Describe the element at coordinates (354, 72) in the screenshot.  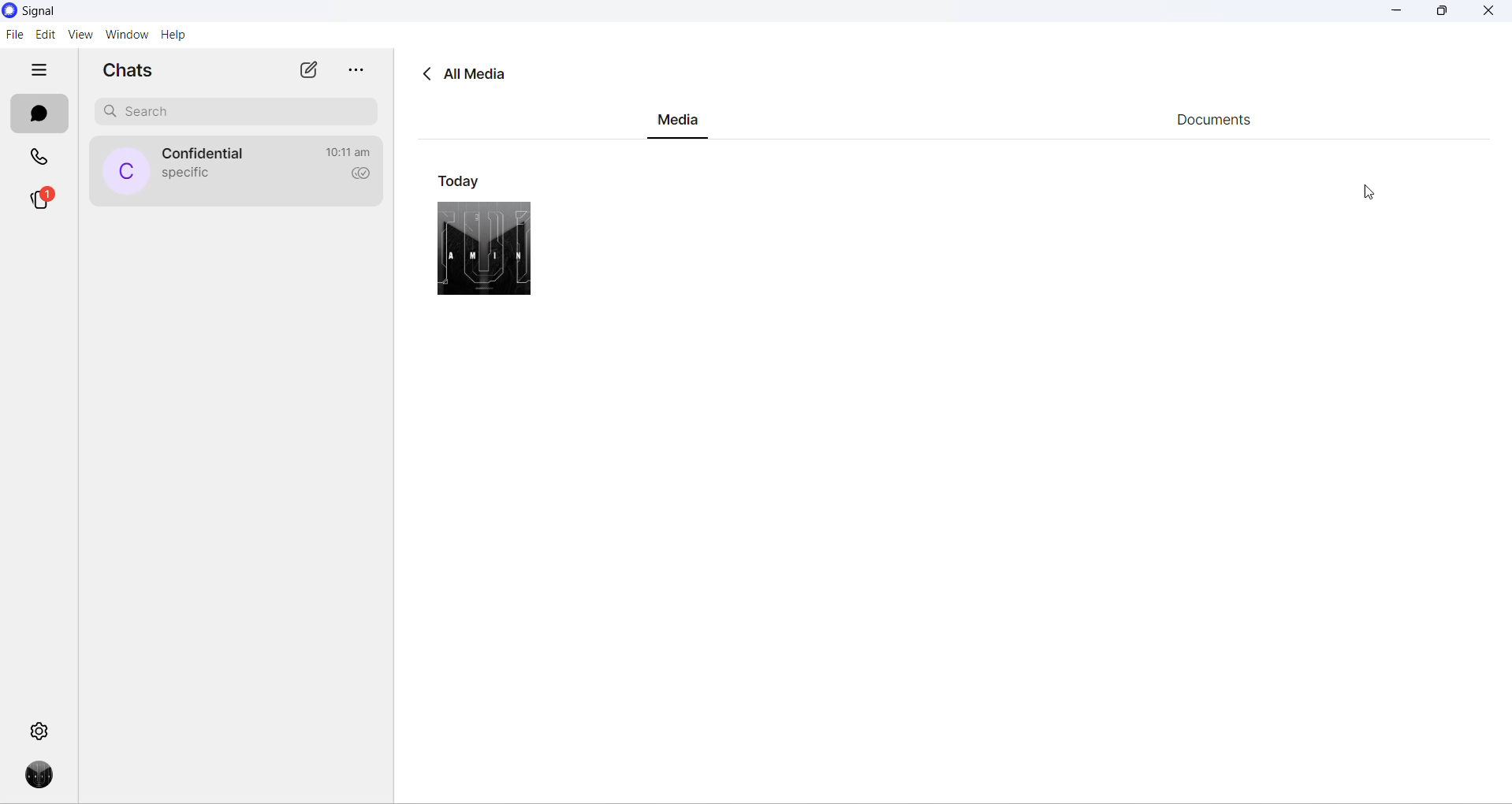
I see `more options` at that location.